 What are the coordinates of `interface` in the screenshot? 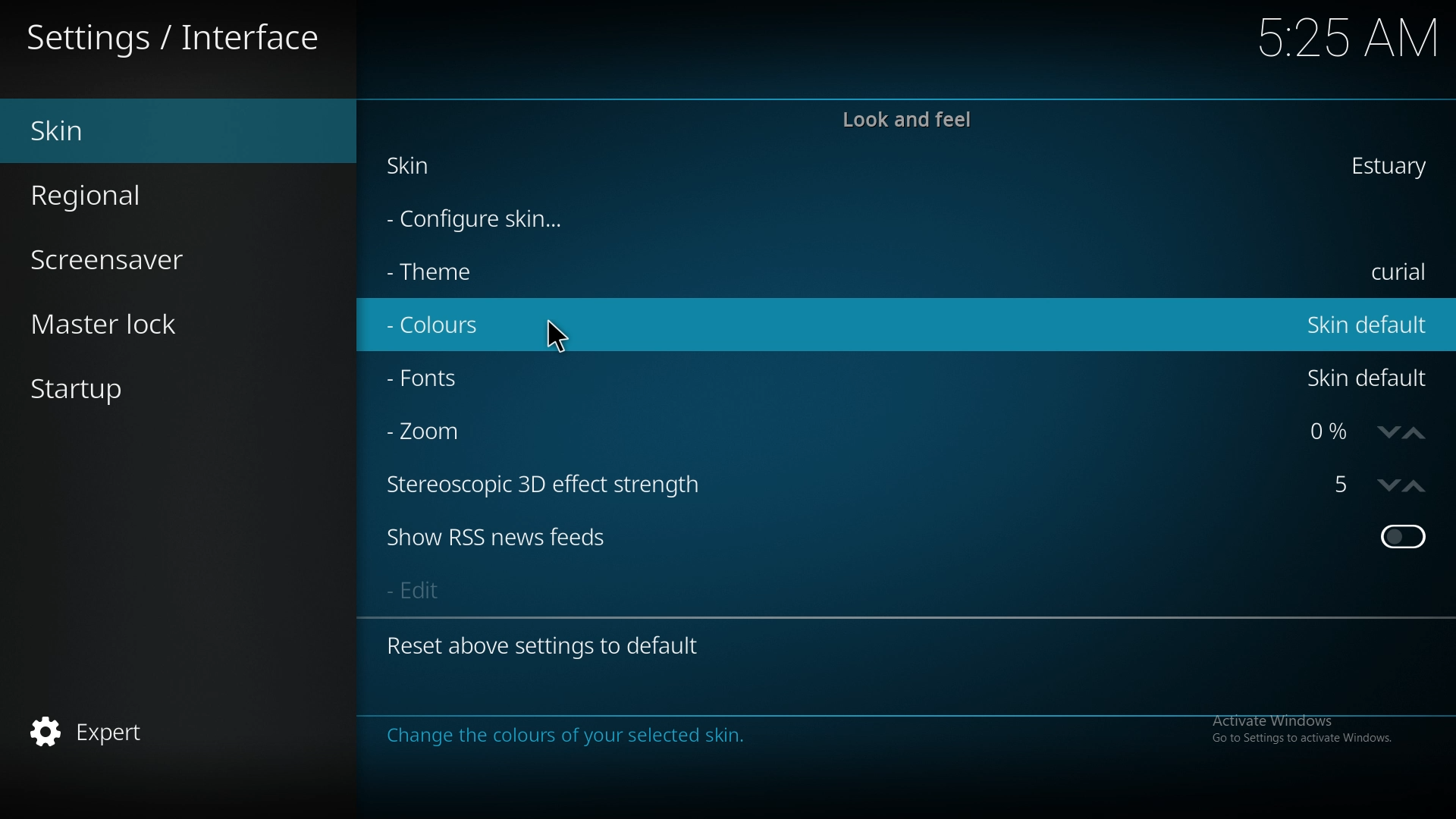 It's located at (177, 33).